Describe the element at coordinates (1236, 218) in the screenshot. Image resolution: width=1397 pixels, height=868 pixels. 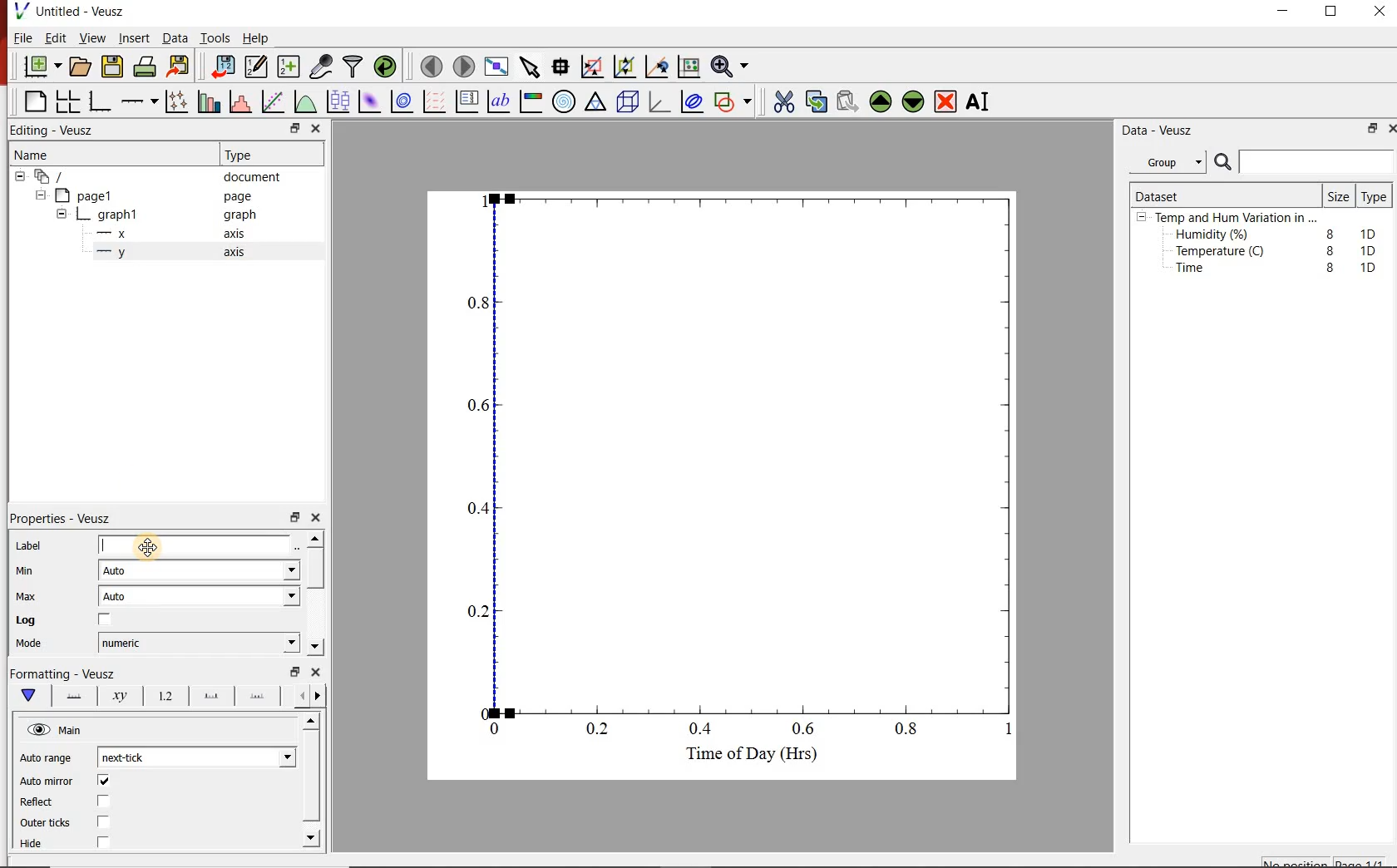
I see `Temp and Hum Variation in ...` at that location.